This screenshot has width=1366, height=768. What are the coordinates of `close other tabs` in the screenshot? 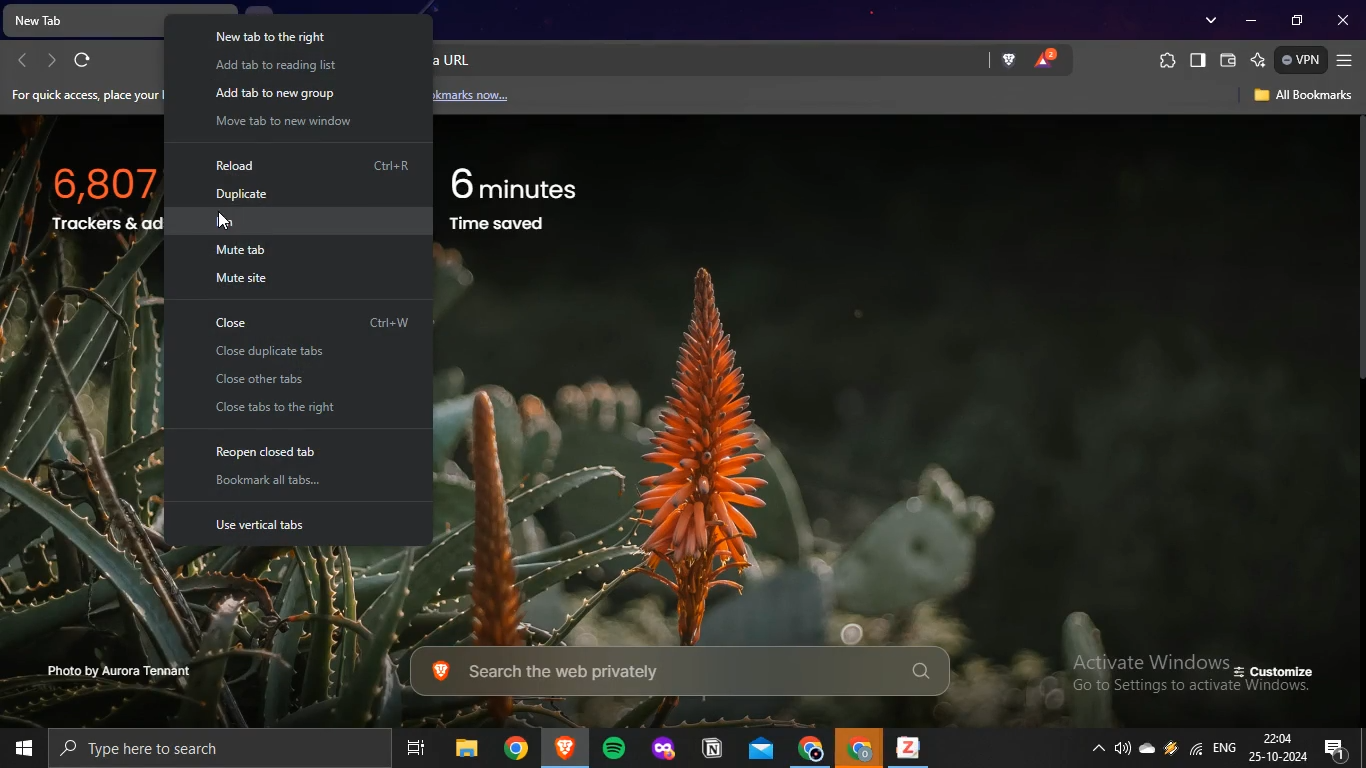 It's located at (271, 381).